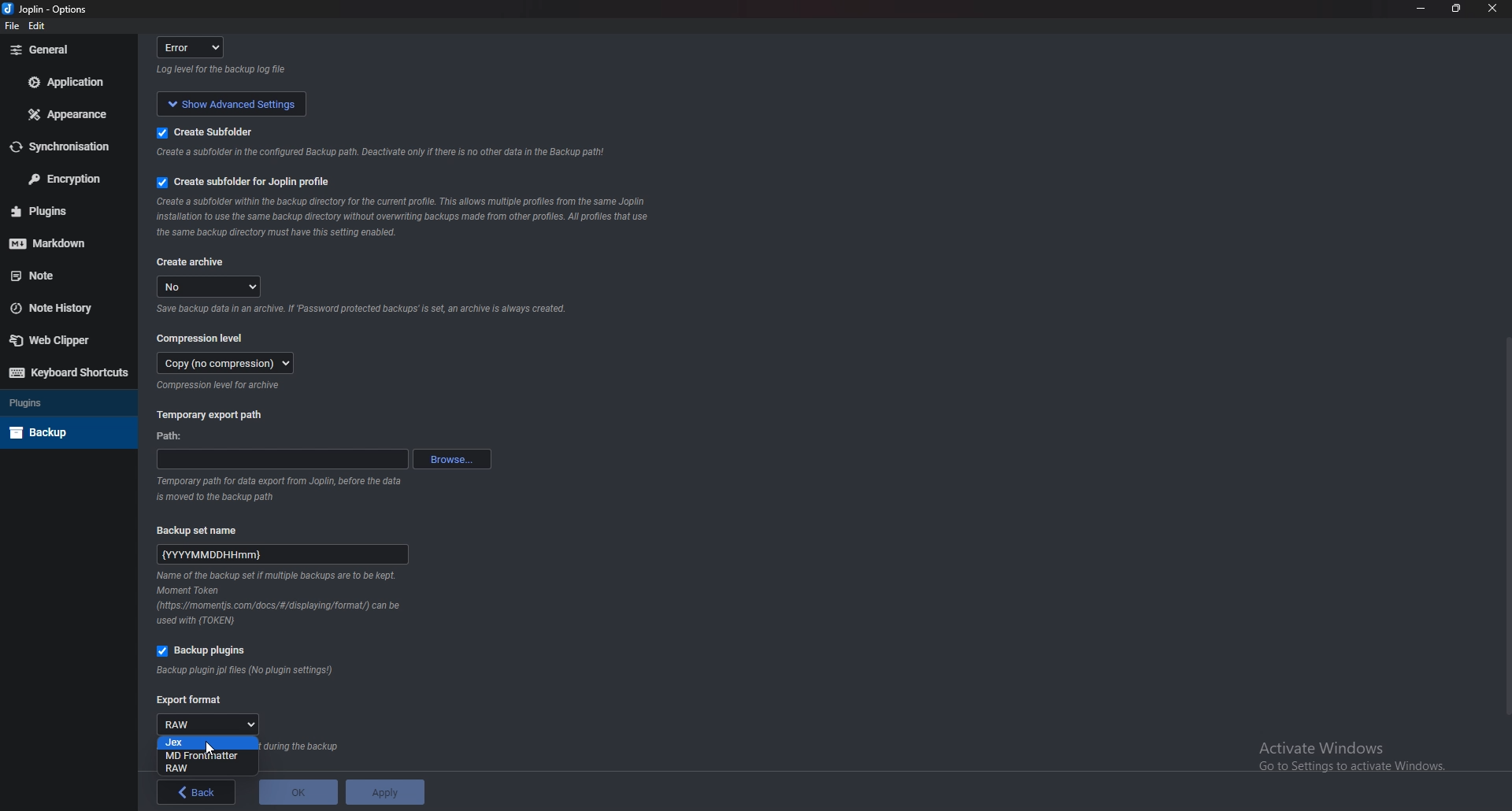  What do you see at coordinates (39, 28) in the screenshot?
I see `edit` at bounding box center [39, 28].